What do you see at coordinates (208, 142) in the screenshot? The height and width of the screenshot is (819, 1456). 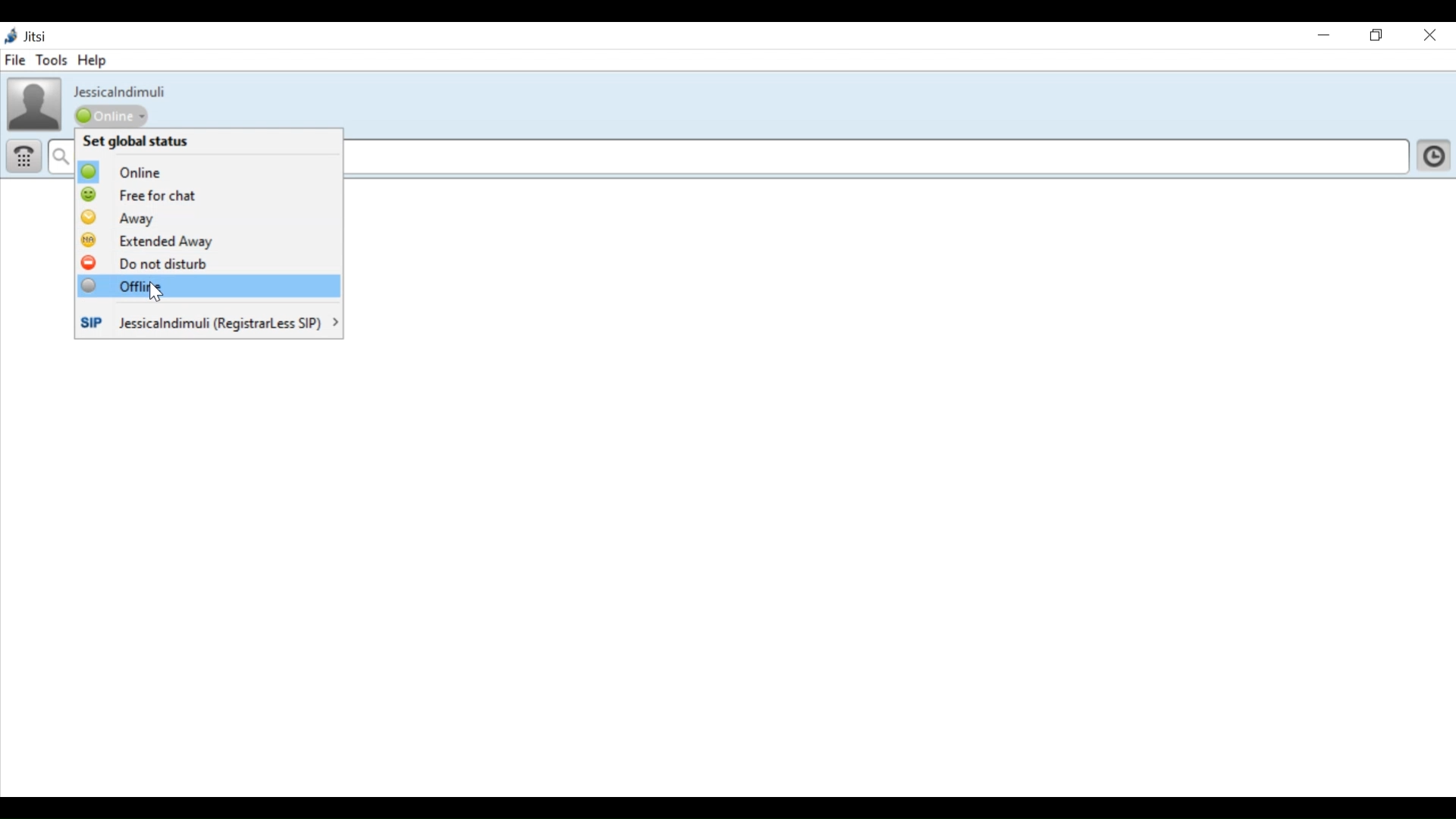 I see `Set Global Status` at bounding box center [208, 142].